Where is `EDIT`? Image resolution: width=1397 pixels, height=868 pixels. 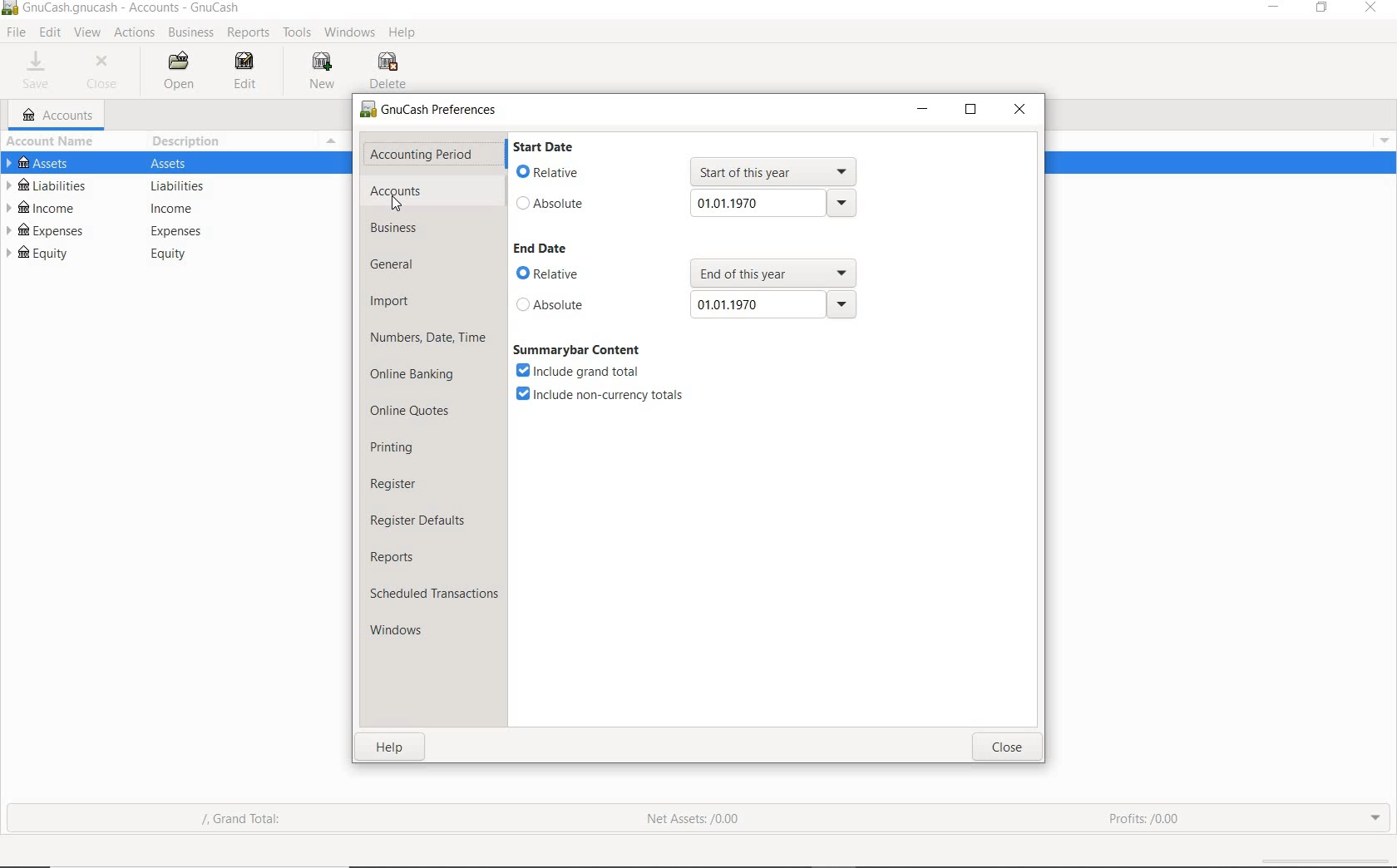 EDIT is located at coordinates (244, 70).